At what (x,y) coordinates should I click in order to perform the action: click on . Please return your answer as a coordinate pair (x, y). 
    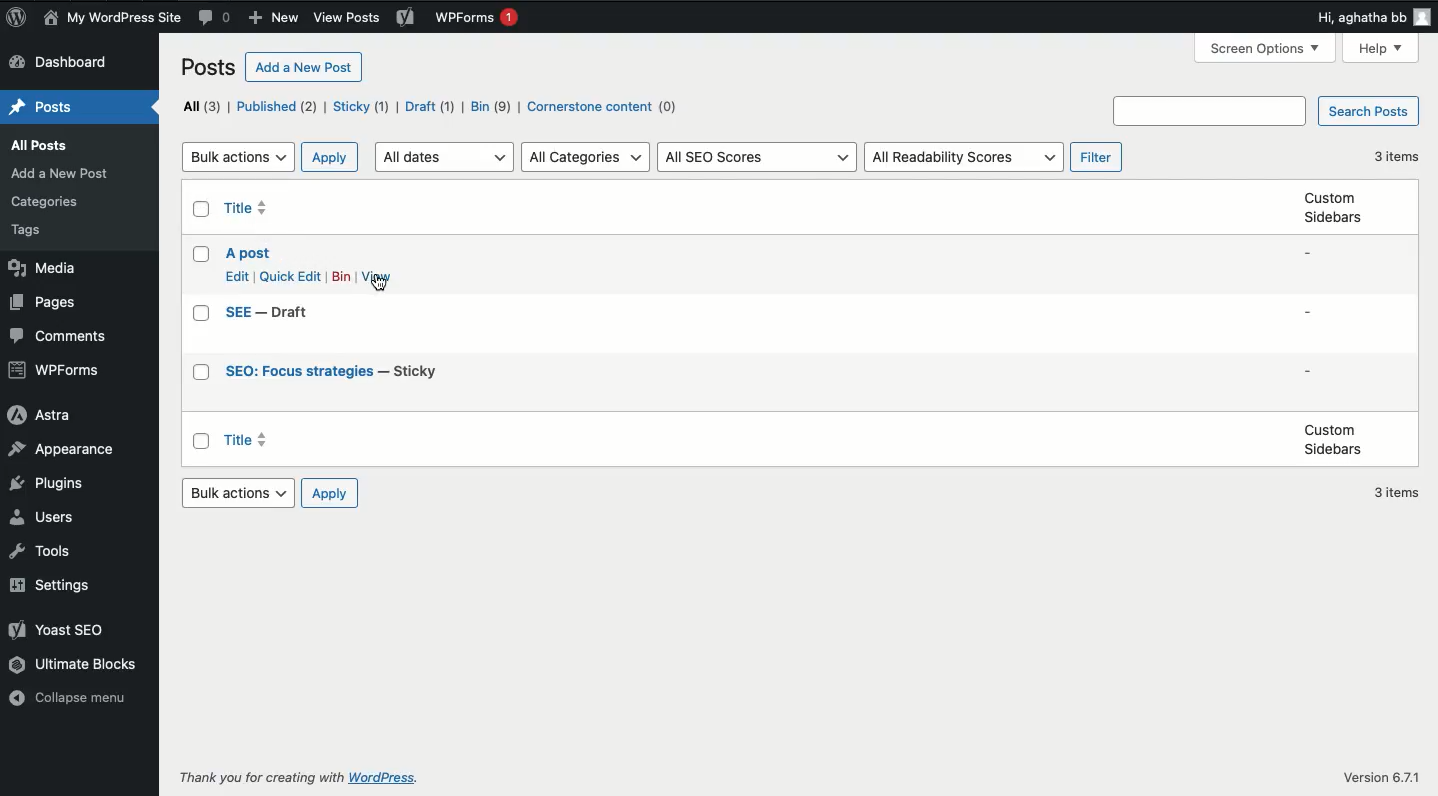
    Looking at the image, I should click on (1386, 777).